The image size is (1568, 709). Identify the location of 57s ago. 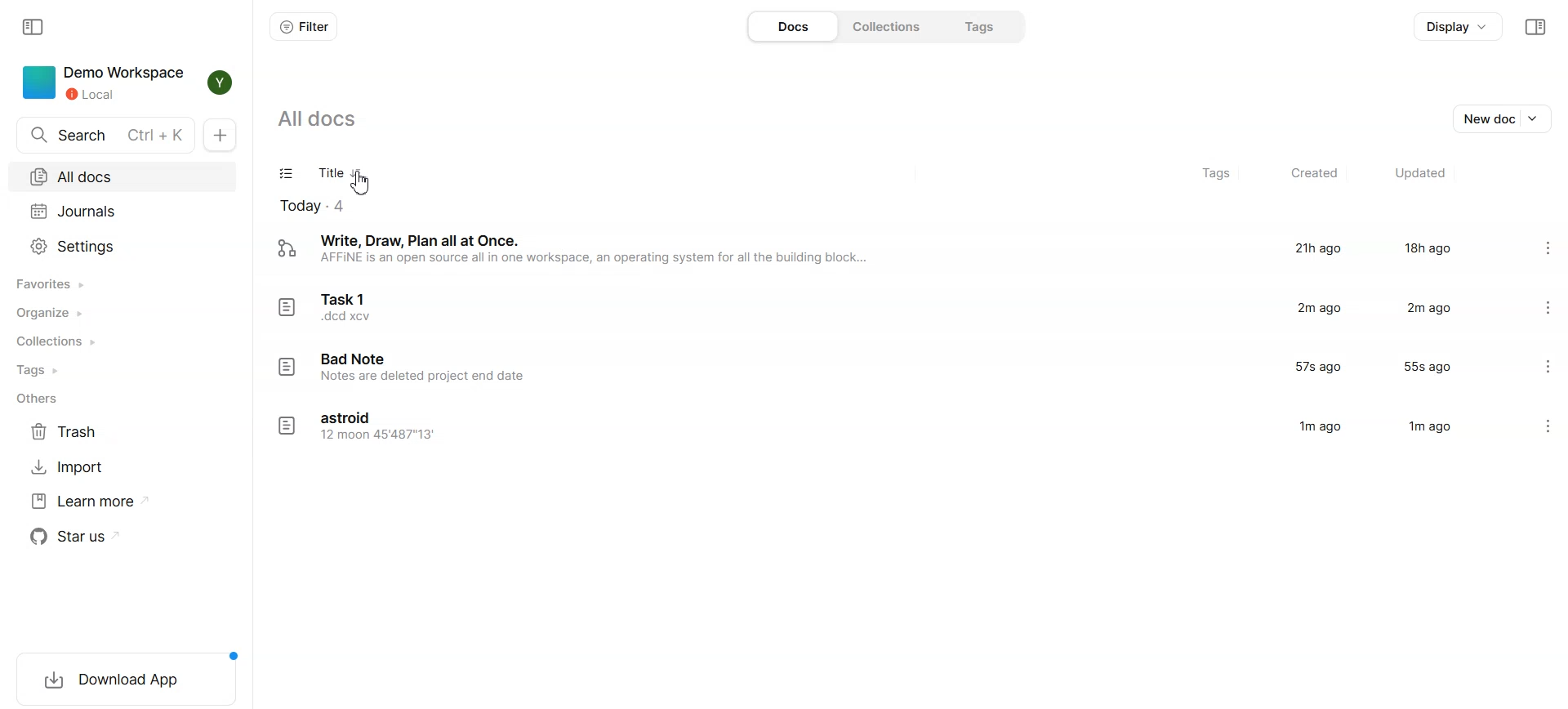
(1319, 366).